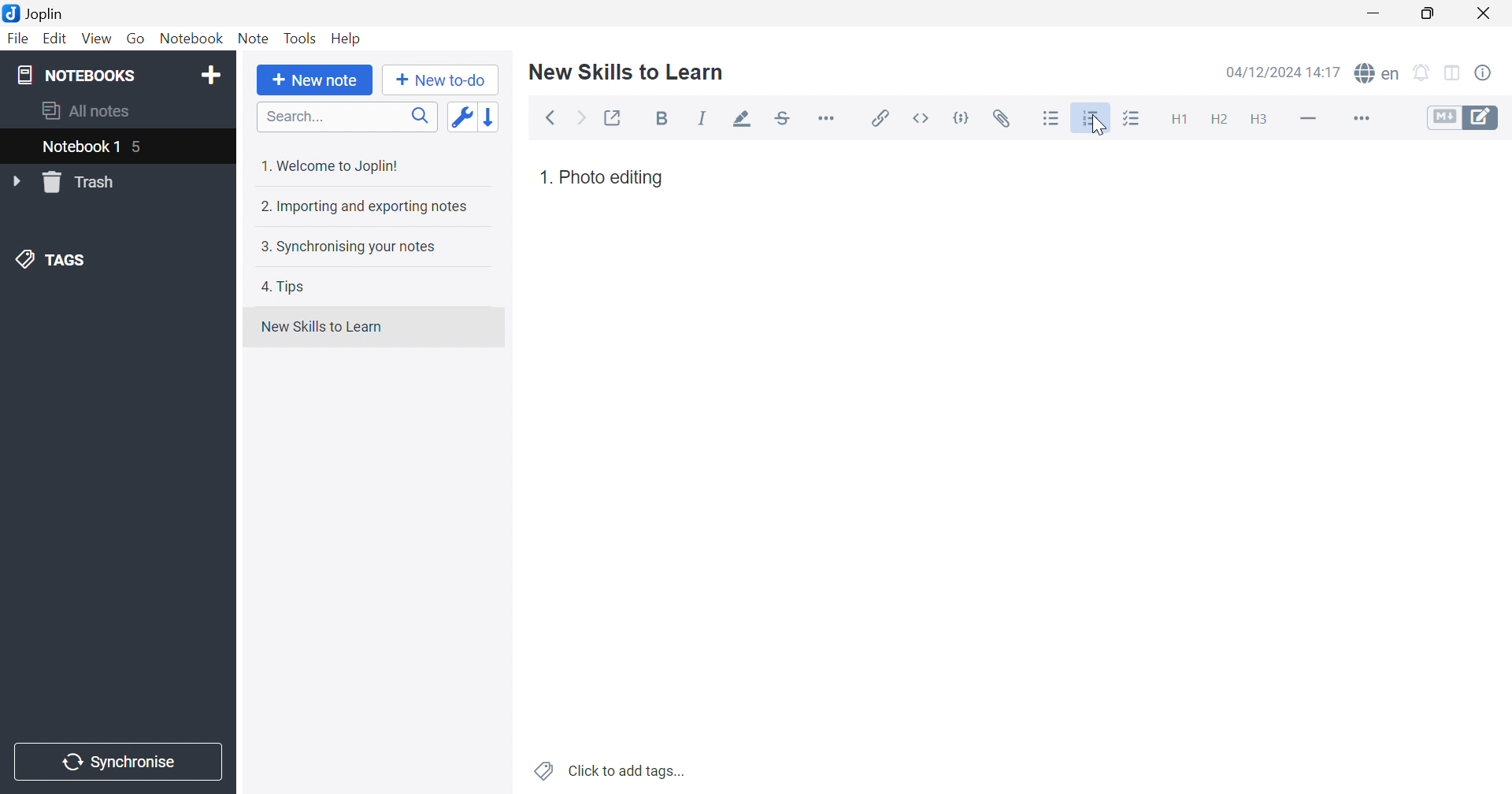 The height and width of the screenshot is (794, 1512). I want to click on Cursor, so click(1099, 128).